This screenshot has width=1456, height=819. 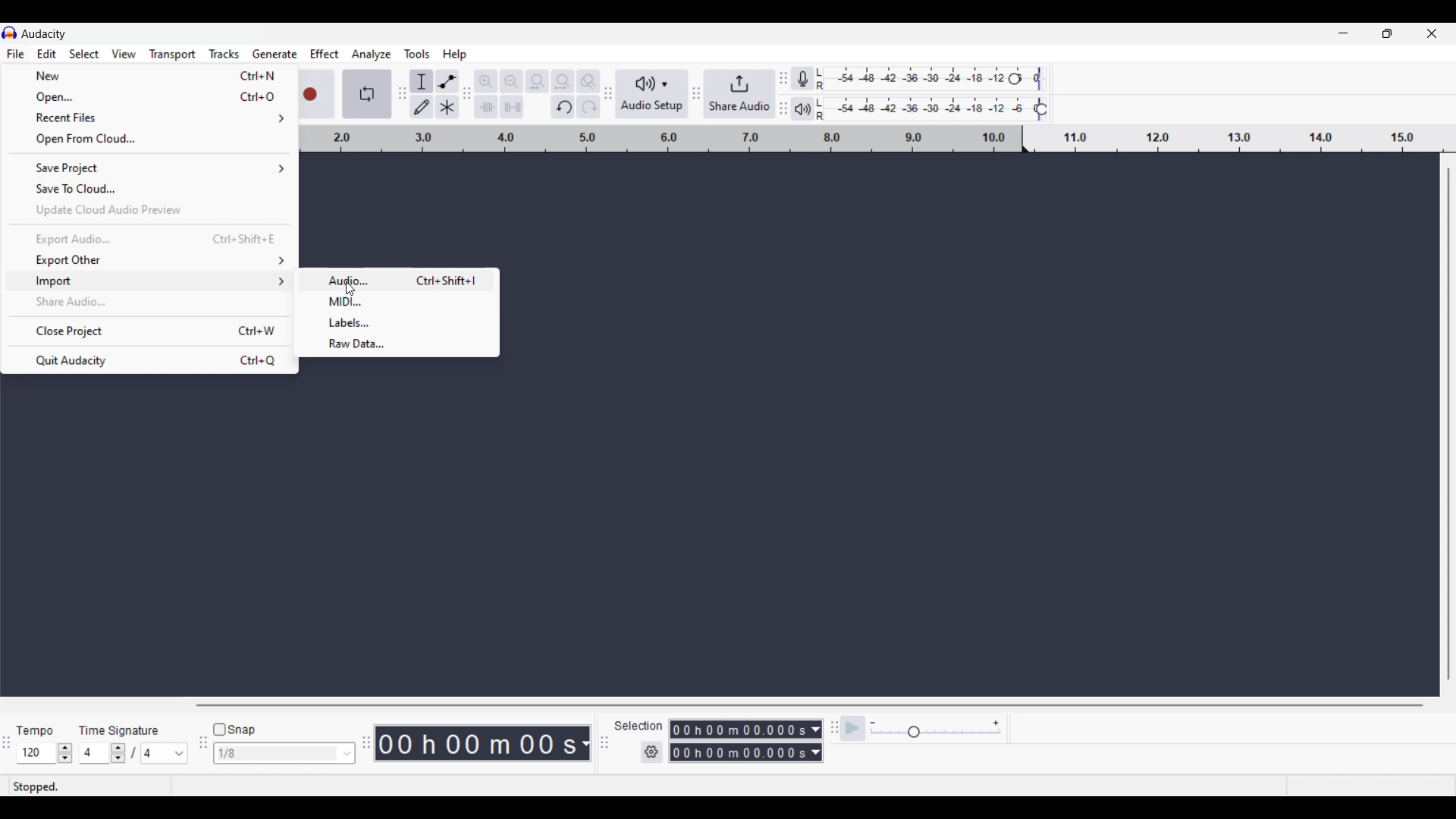 What do you see at coordinates (1449, 425) in the screenshot?
I see `Vertical slide bar` at bounding box center [1449, 425].